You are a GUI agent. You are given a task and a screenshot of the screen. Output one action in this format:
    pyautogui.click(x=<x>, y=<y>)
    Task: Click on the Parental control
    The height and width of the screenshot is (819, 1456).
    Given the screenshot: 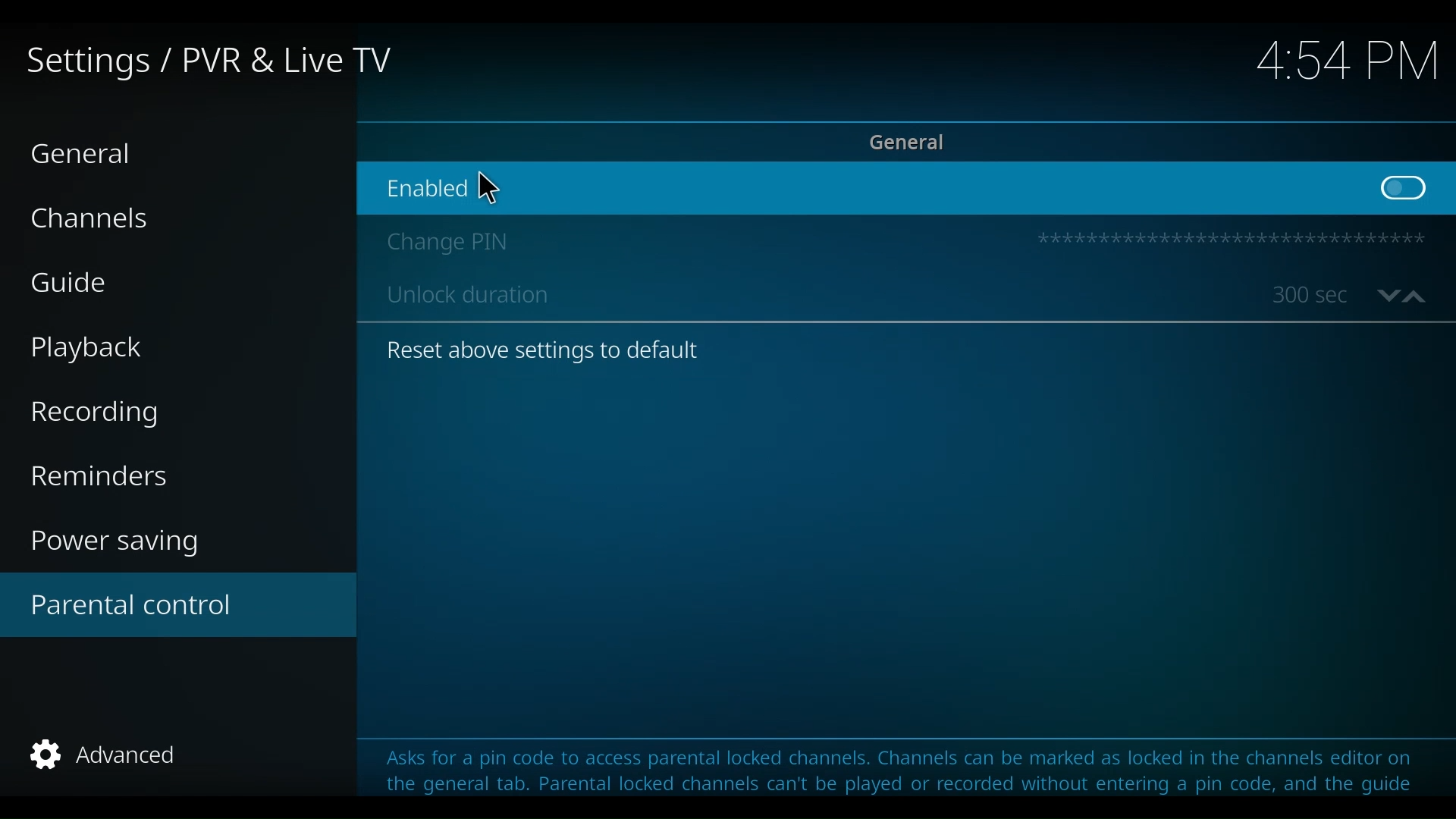 What is the action you would take?
    pyautogui.click(x=177, y=604)
    